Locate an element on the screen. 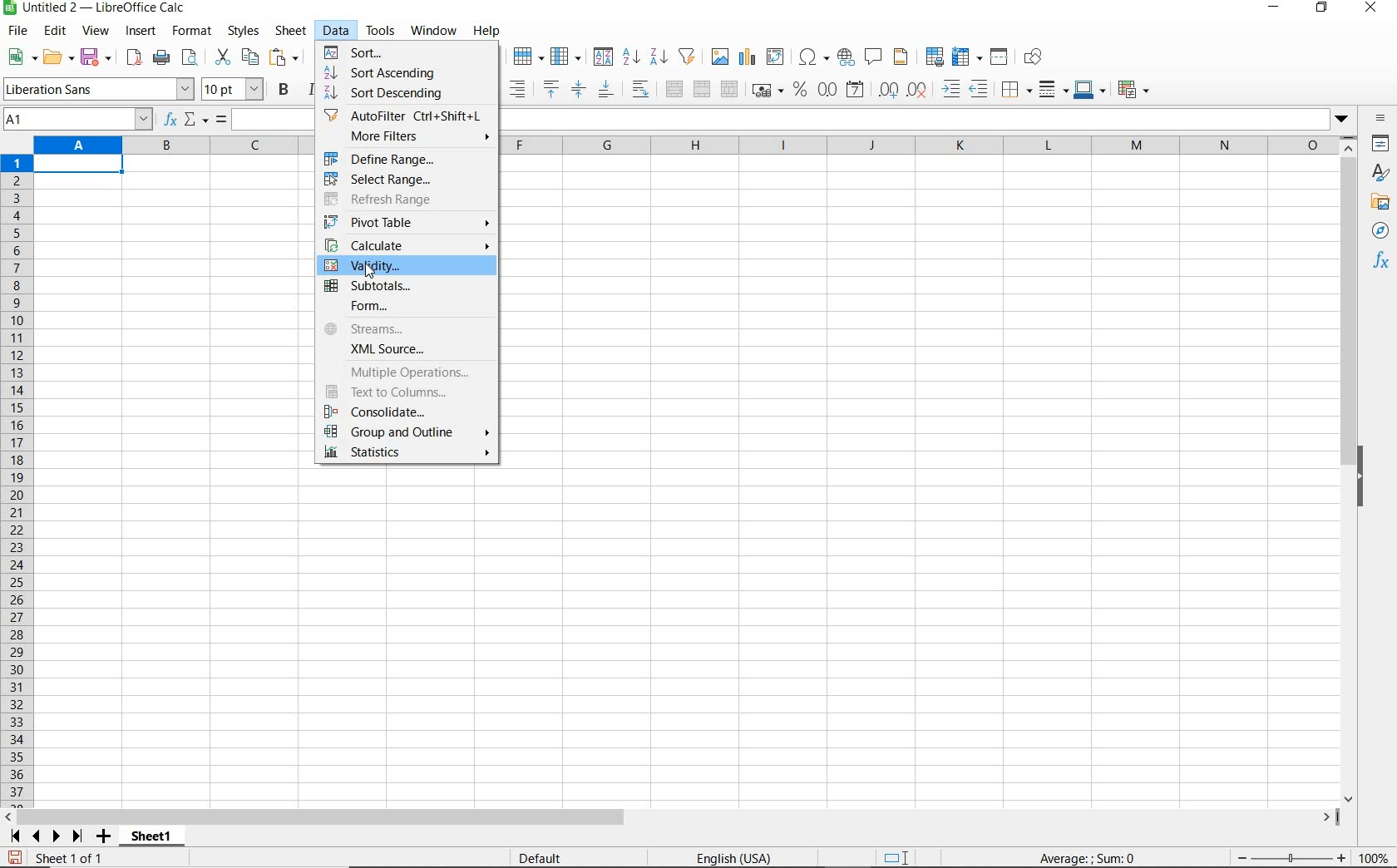 Image resolution: width=1397 pixels, height=868 pixels. Data is located at coordinates (338, 30).